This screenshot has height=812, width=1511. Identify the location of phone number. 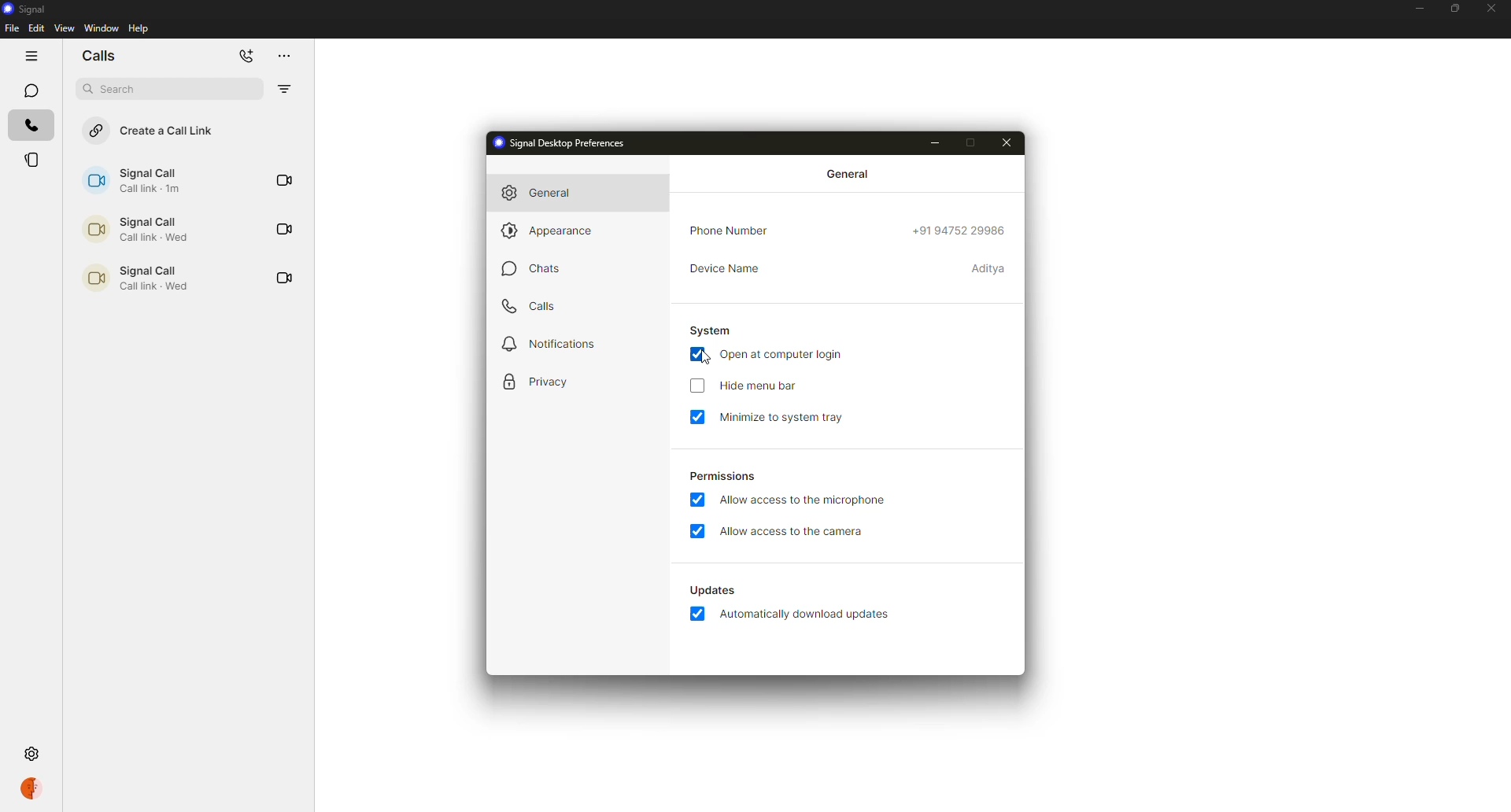
(962, 229).